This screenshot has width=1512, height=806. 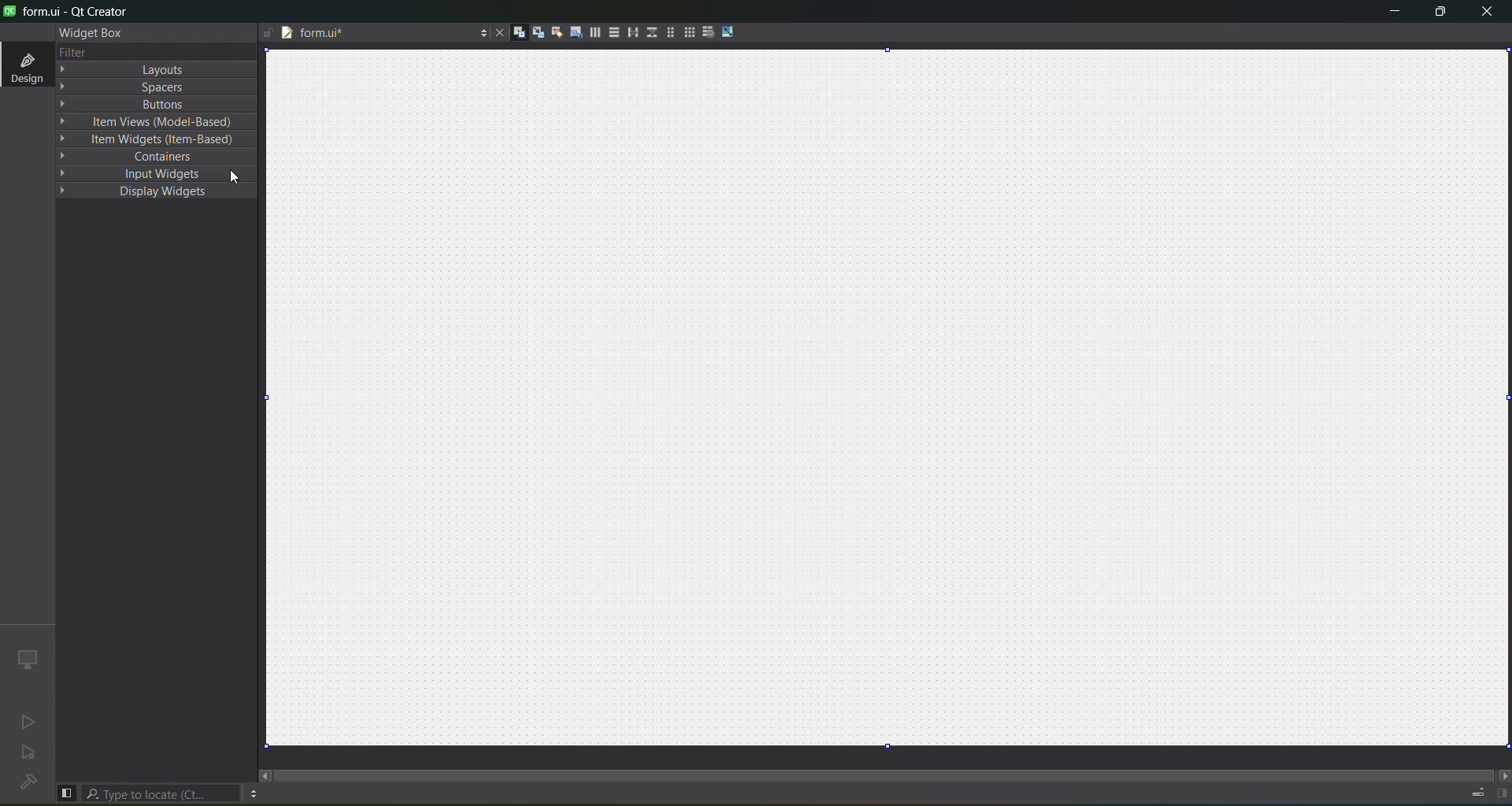 What do you see at coordinates (26, 65) in the screenshot?
I see `design` at bounding box center [26, 65].